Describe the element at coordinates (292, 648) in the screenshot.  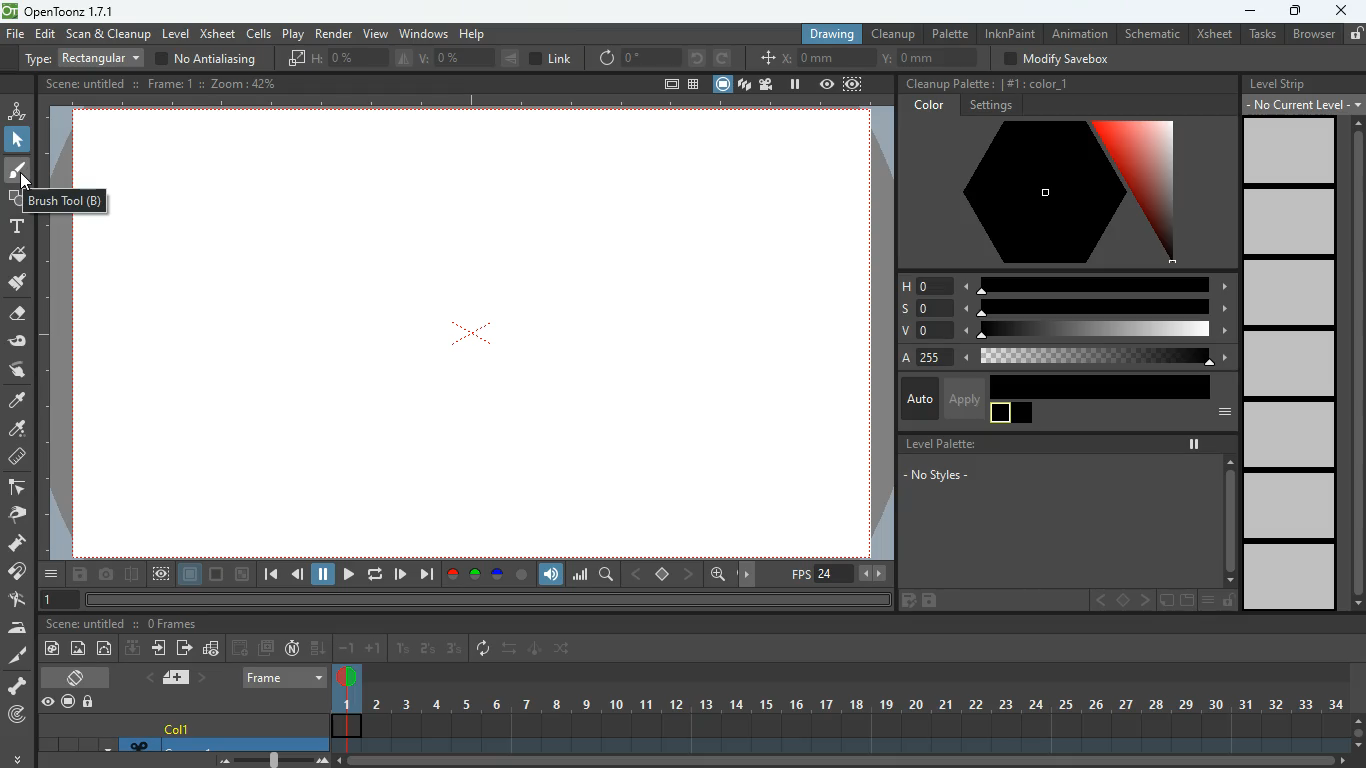
I see `n` at that location.